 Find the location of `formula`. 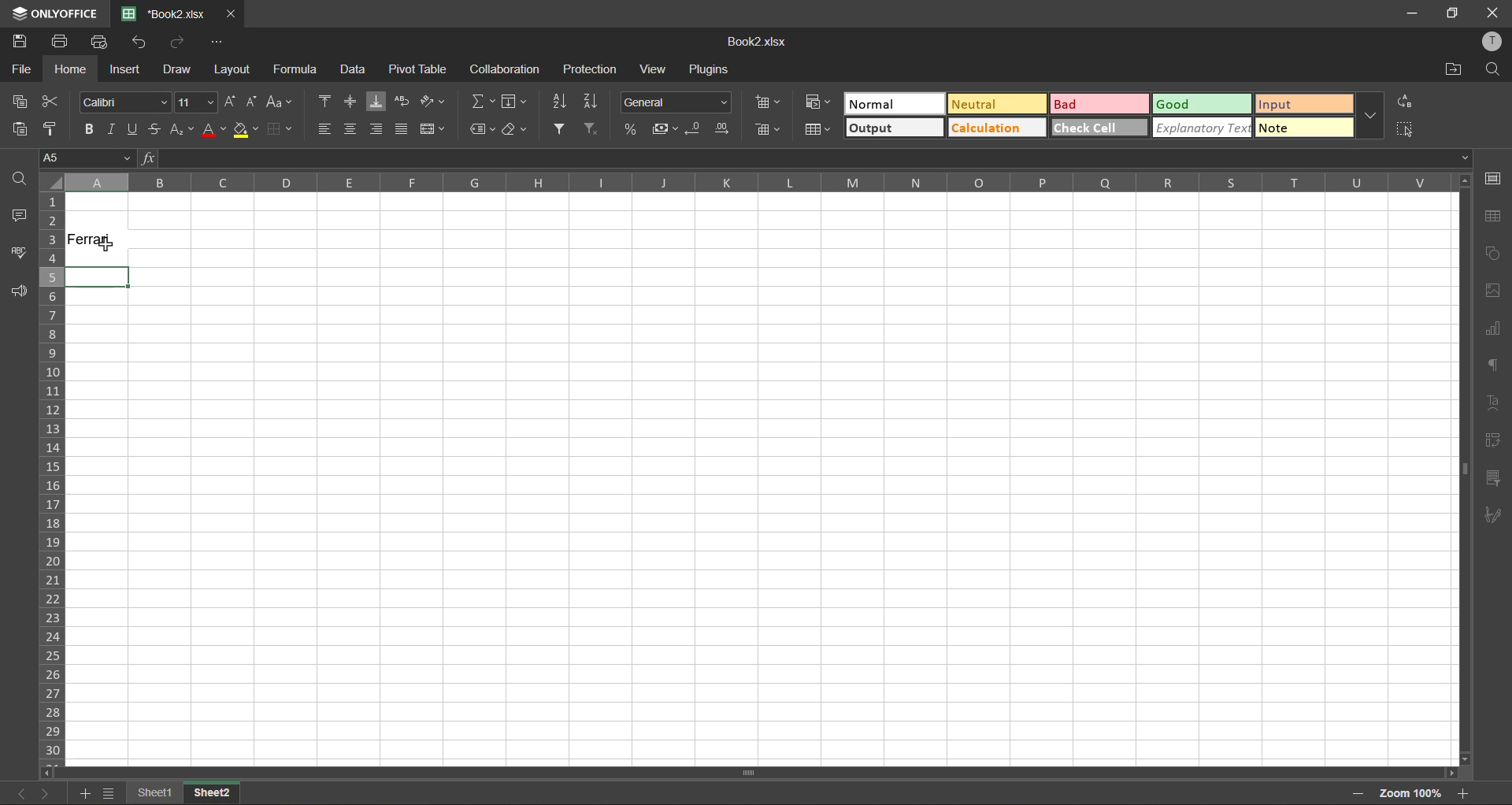

formula is located at coordinates (297, 69).